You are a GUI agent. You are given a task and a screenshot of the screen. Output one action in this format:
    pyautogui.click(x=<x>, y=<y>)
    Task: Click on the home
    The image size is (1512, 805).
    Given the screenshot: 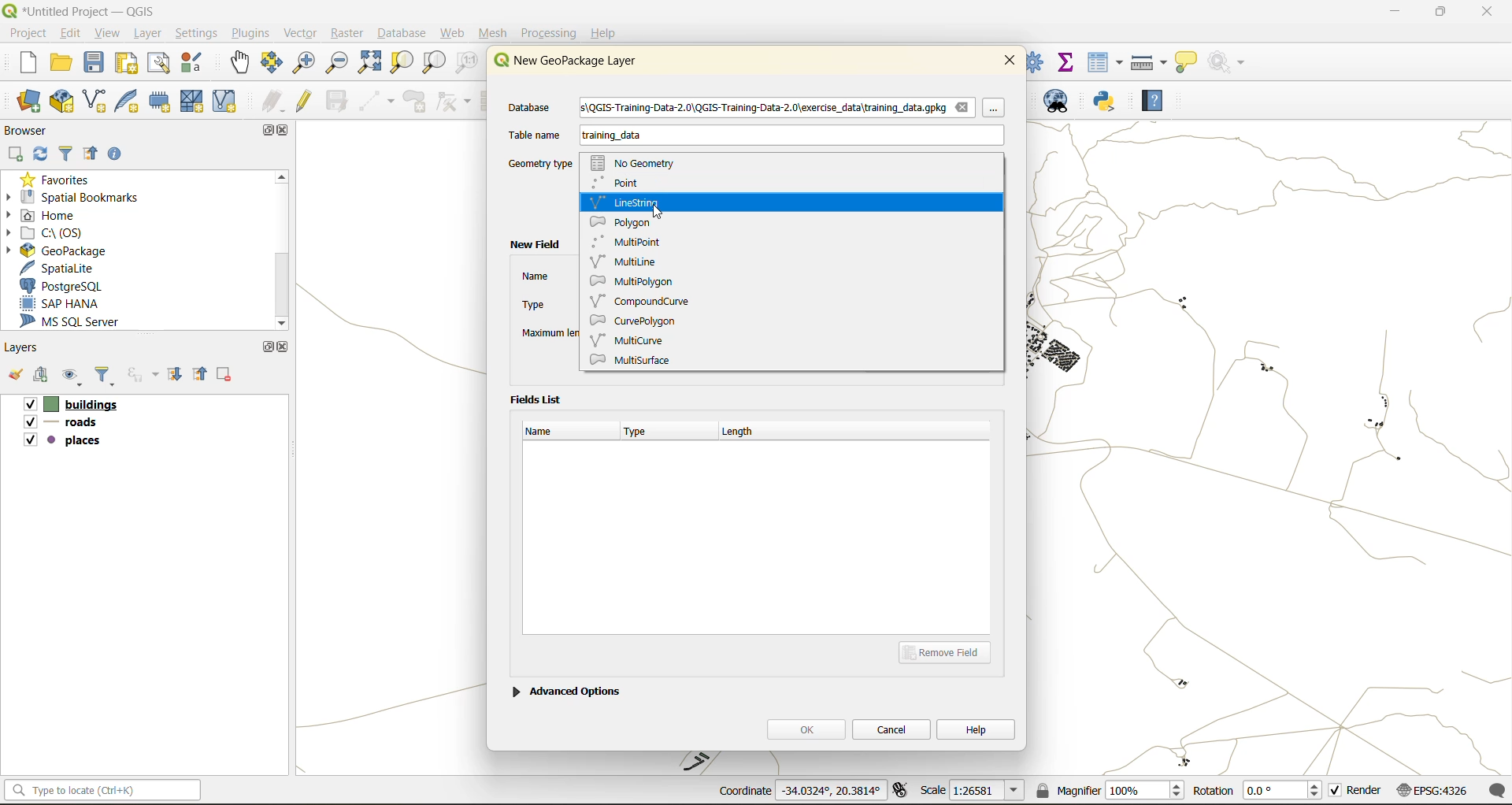 What is the action you would take?
    pyautogui.click(x=47, y=215)
    